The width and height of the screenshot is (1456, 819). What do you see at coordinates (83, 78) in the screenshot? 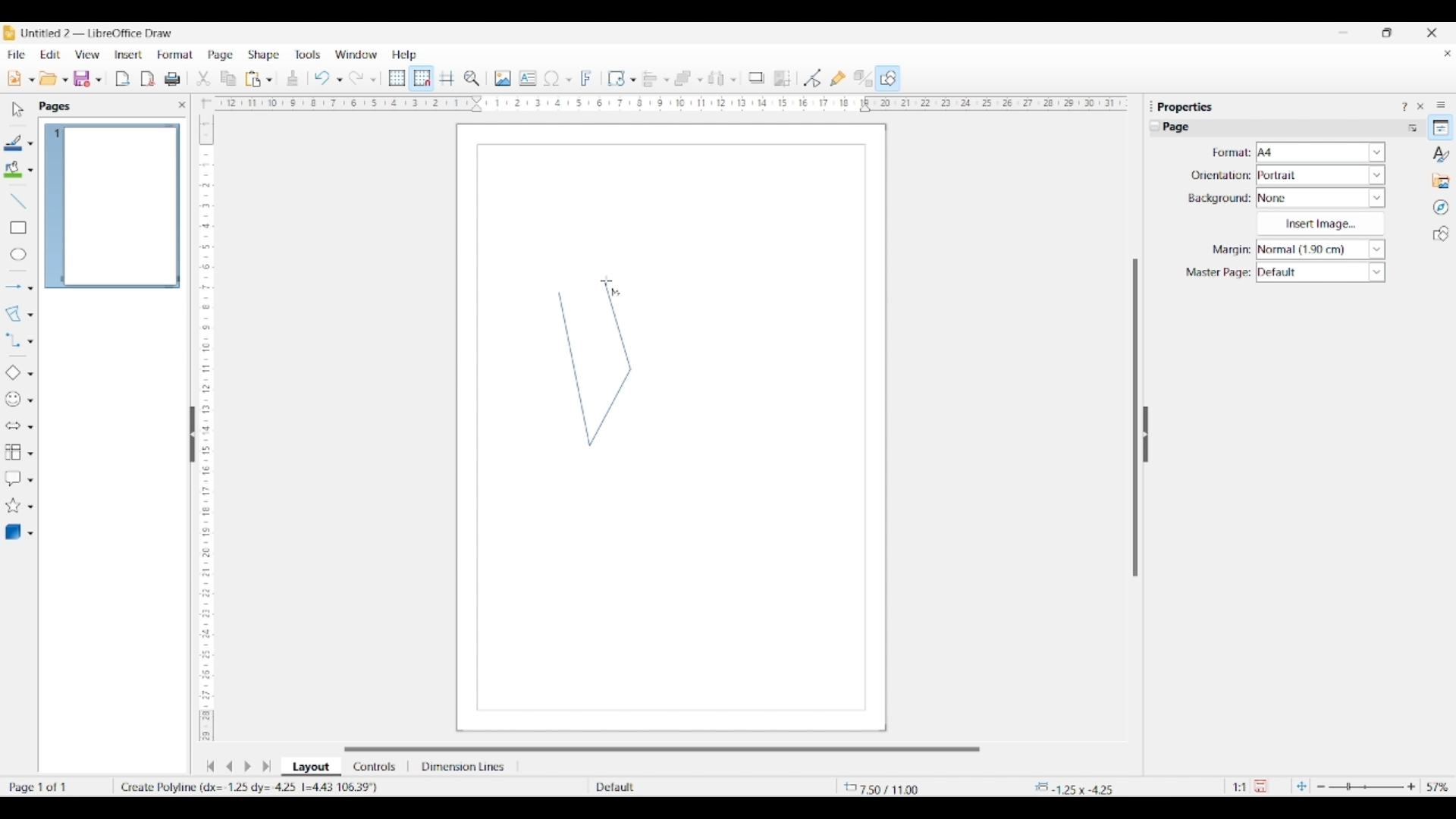
I see `Selected save option` at bounding box center [83, 78].